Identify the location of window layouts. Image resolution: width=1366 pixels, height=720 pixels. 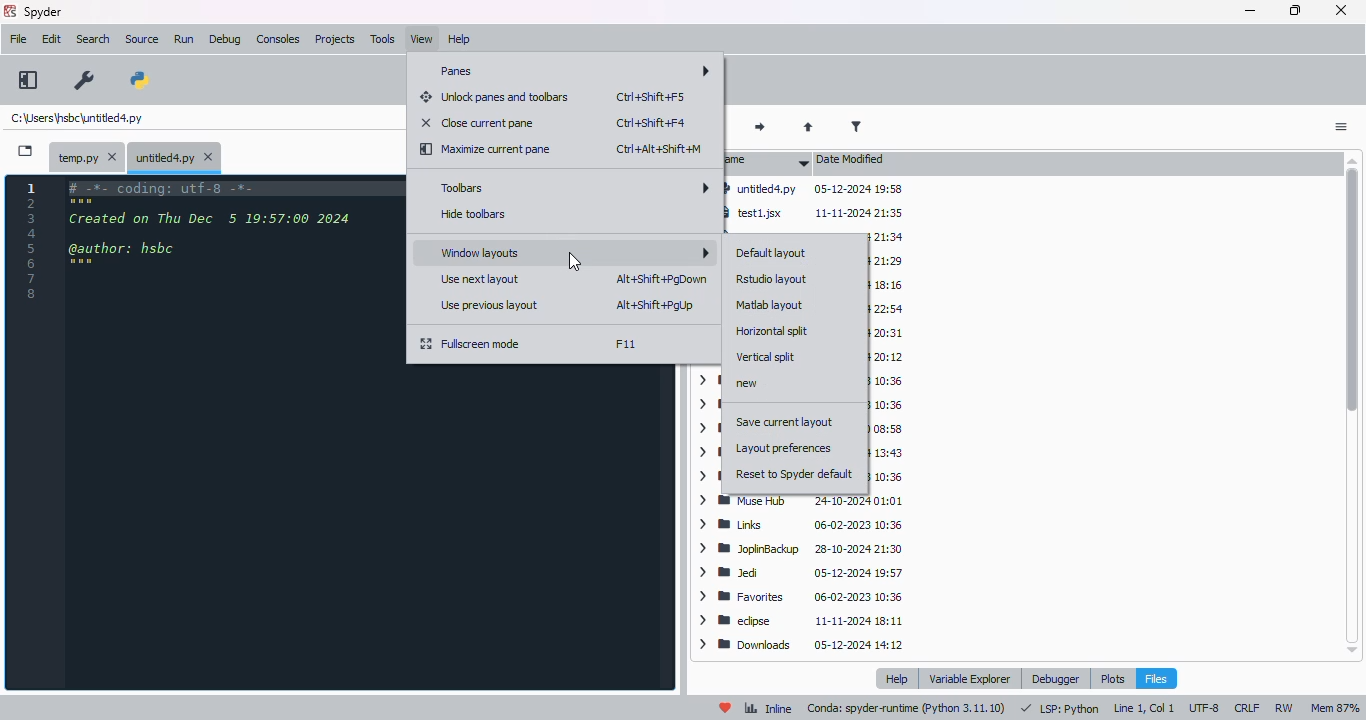
(572, 251).